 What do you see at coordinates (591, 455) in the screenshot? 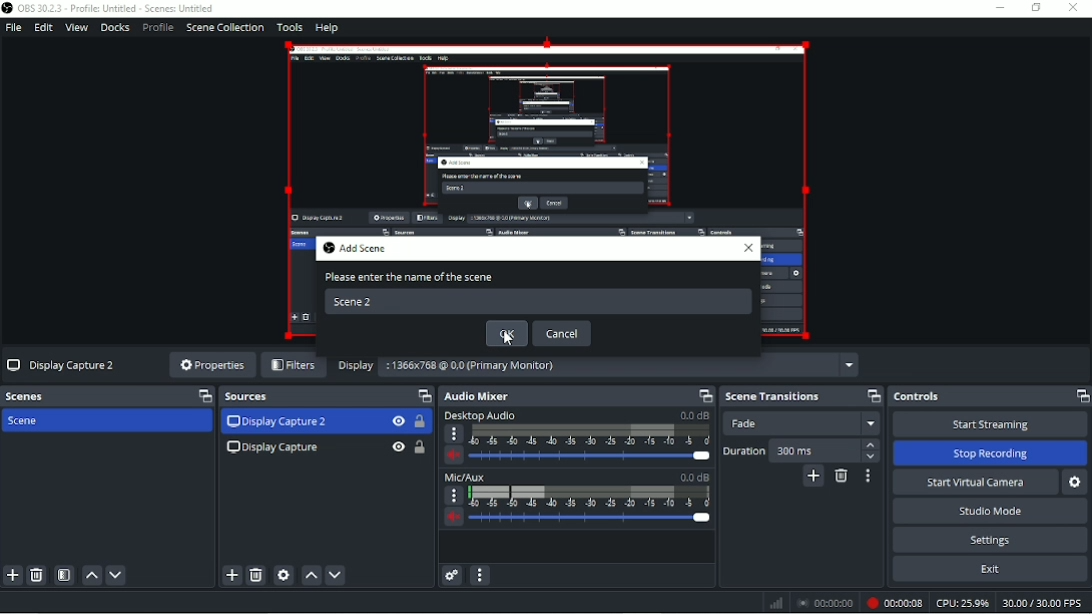
I see `Slider` at bounding box center [591, 455].